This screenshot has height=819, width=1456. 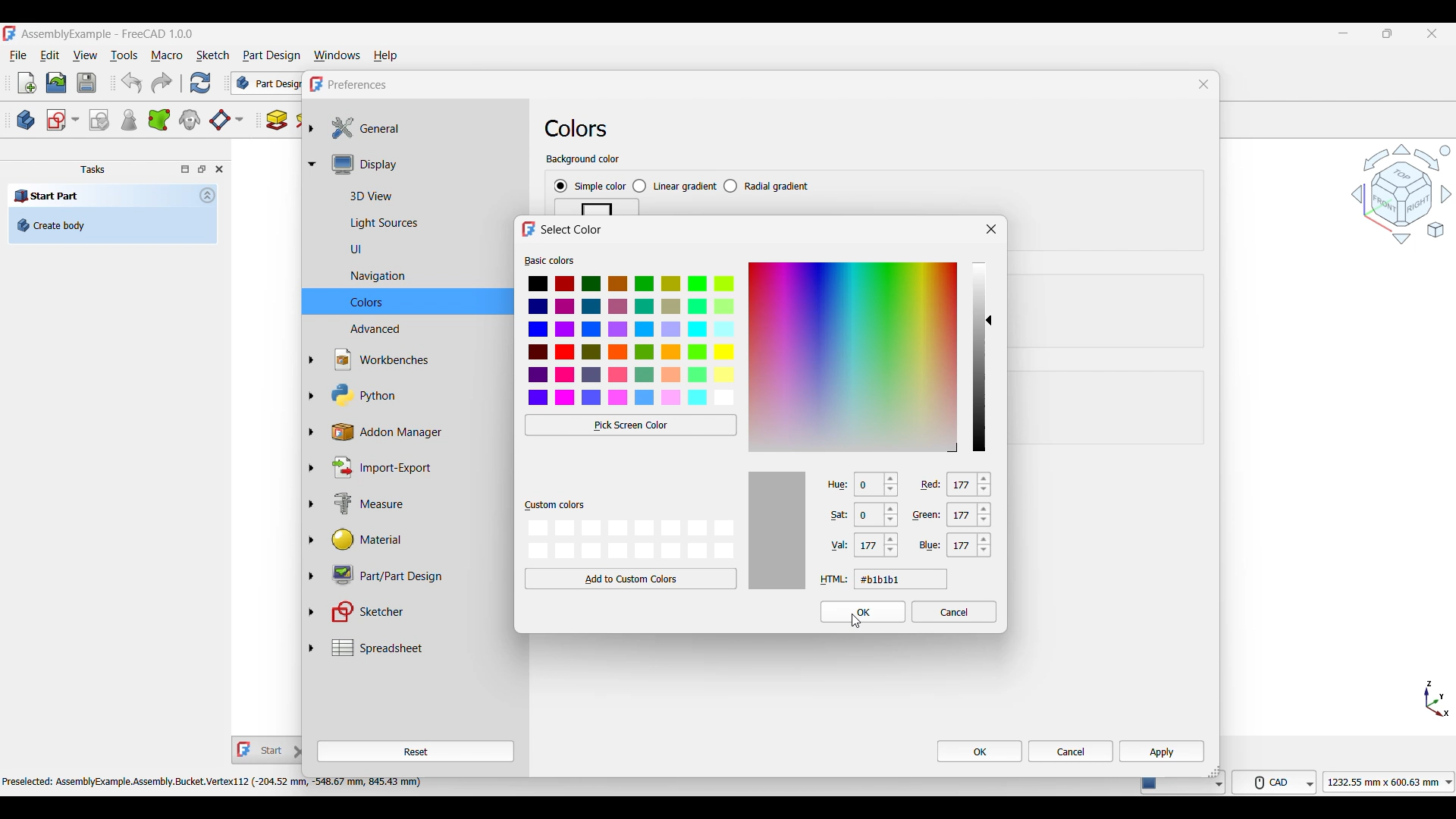 I want to click on Open, so click(x=56, y=83).